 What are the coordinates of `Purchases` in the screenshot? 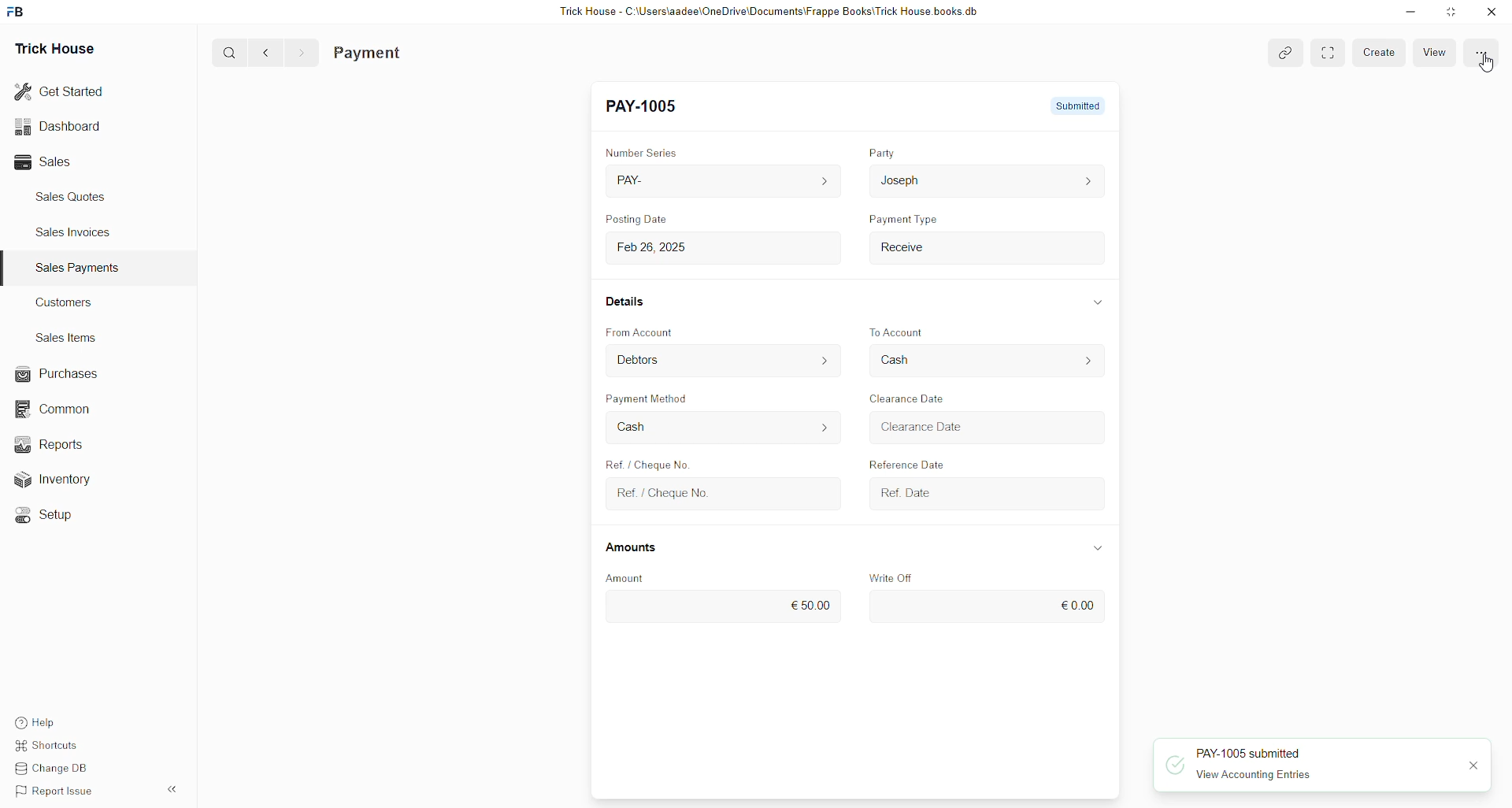 It's located at (60, 374).